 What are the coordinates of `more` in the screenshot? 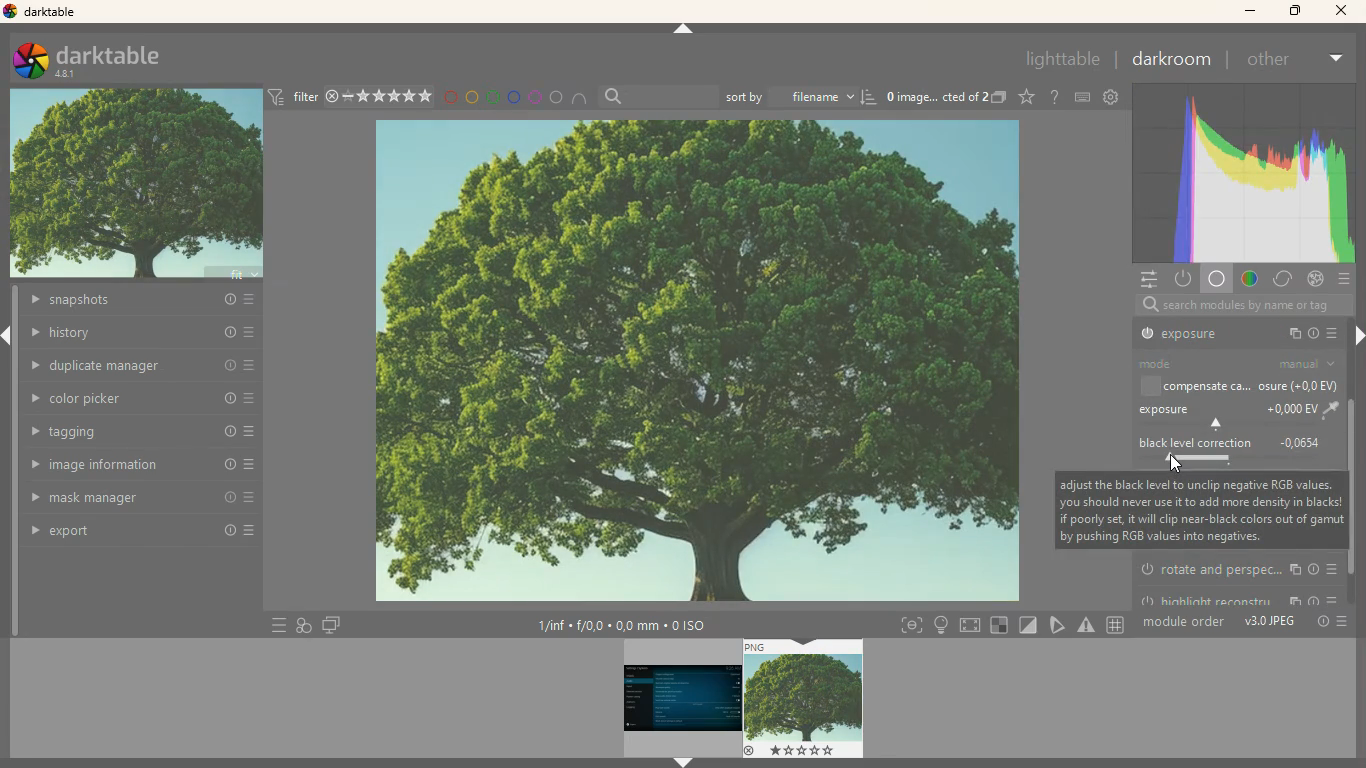 It's located at (273, 624).